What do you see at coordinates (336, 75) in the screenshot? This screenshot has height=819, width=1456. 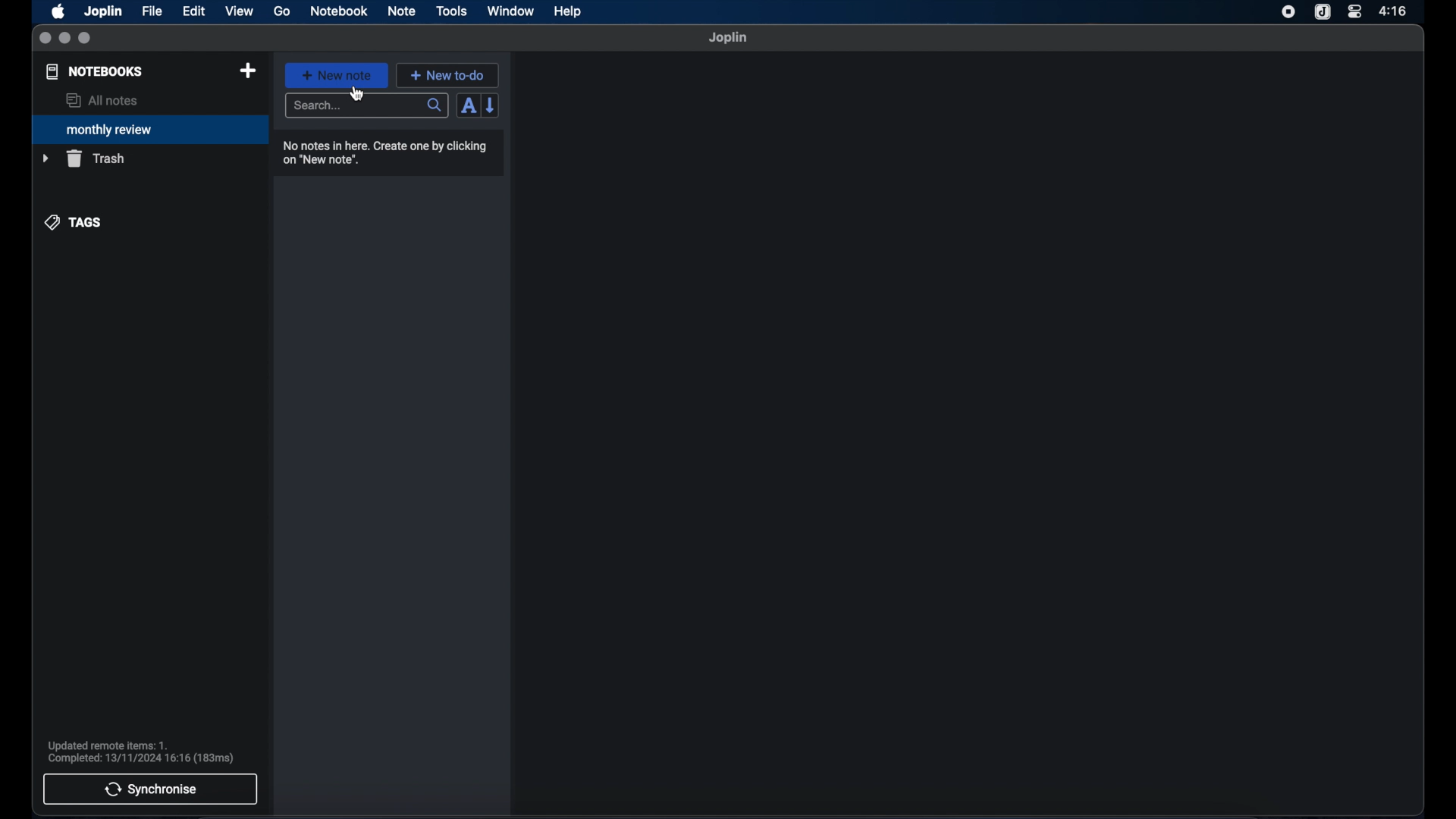 I see `new note` at bounding box center [336, 75].